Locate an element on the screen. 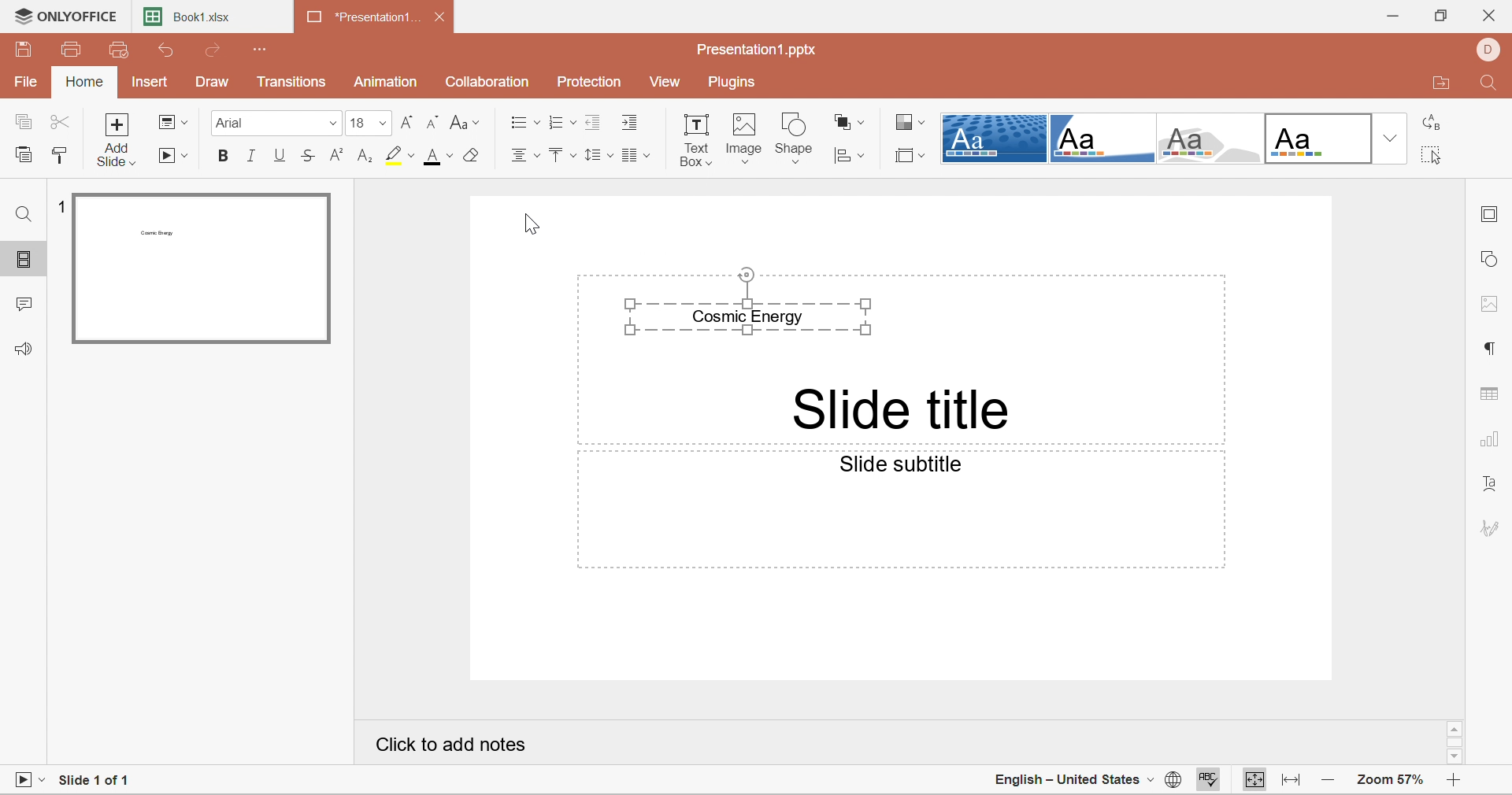 This screenshot has height=795, width=1512. Copy is located at coordinates (22, 123).